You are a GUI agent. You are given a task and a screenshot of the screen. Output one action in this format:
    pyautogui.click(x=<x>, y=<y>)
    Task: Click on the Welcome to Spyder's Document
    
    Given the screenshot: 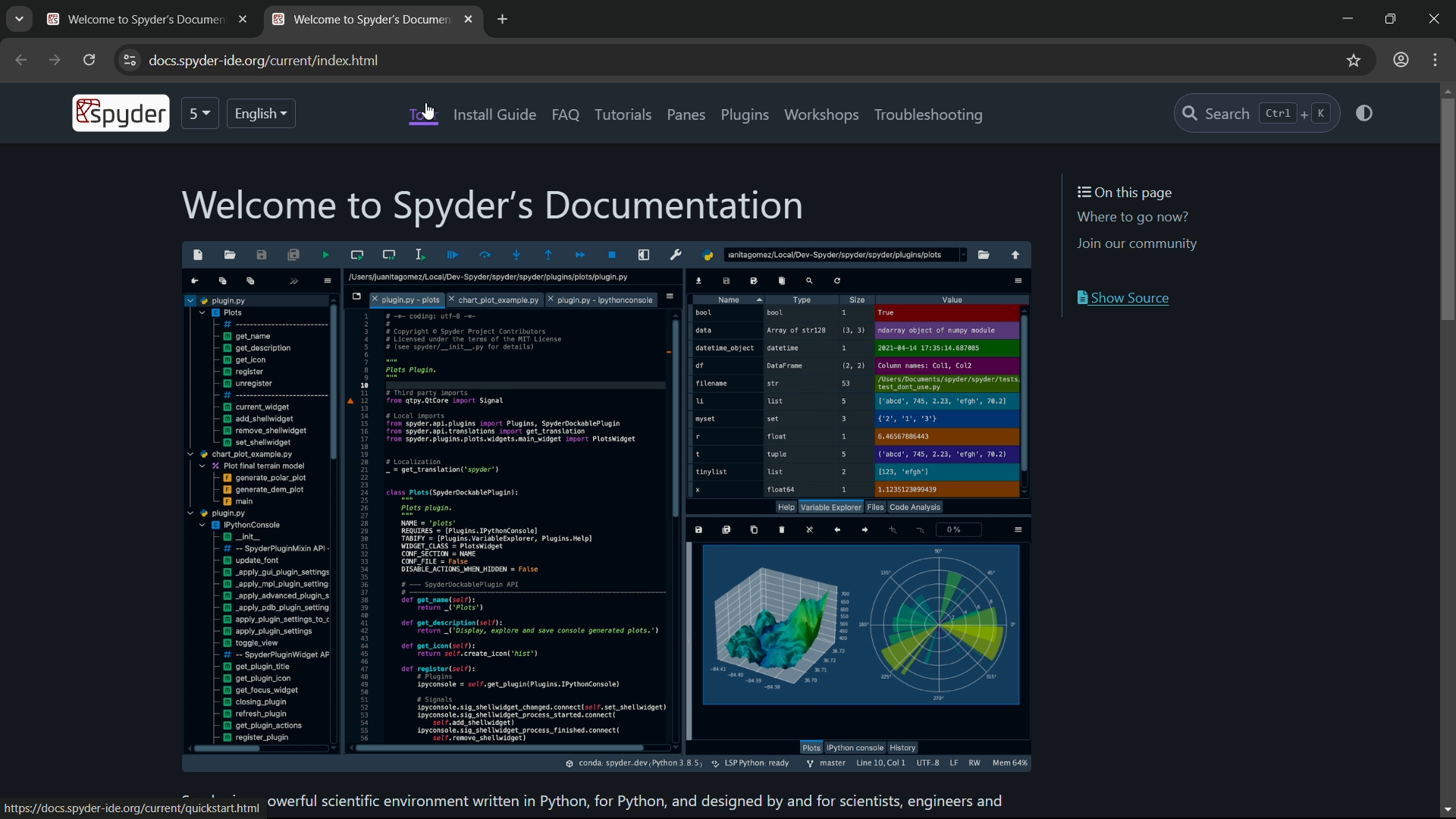 What is the action you would take?
    pyautogui.click(x=130, y=20)
    